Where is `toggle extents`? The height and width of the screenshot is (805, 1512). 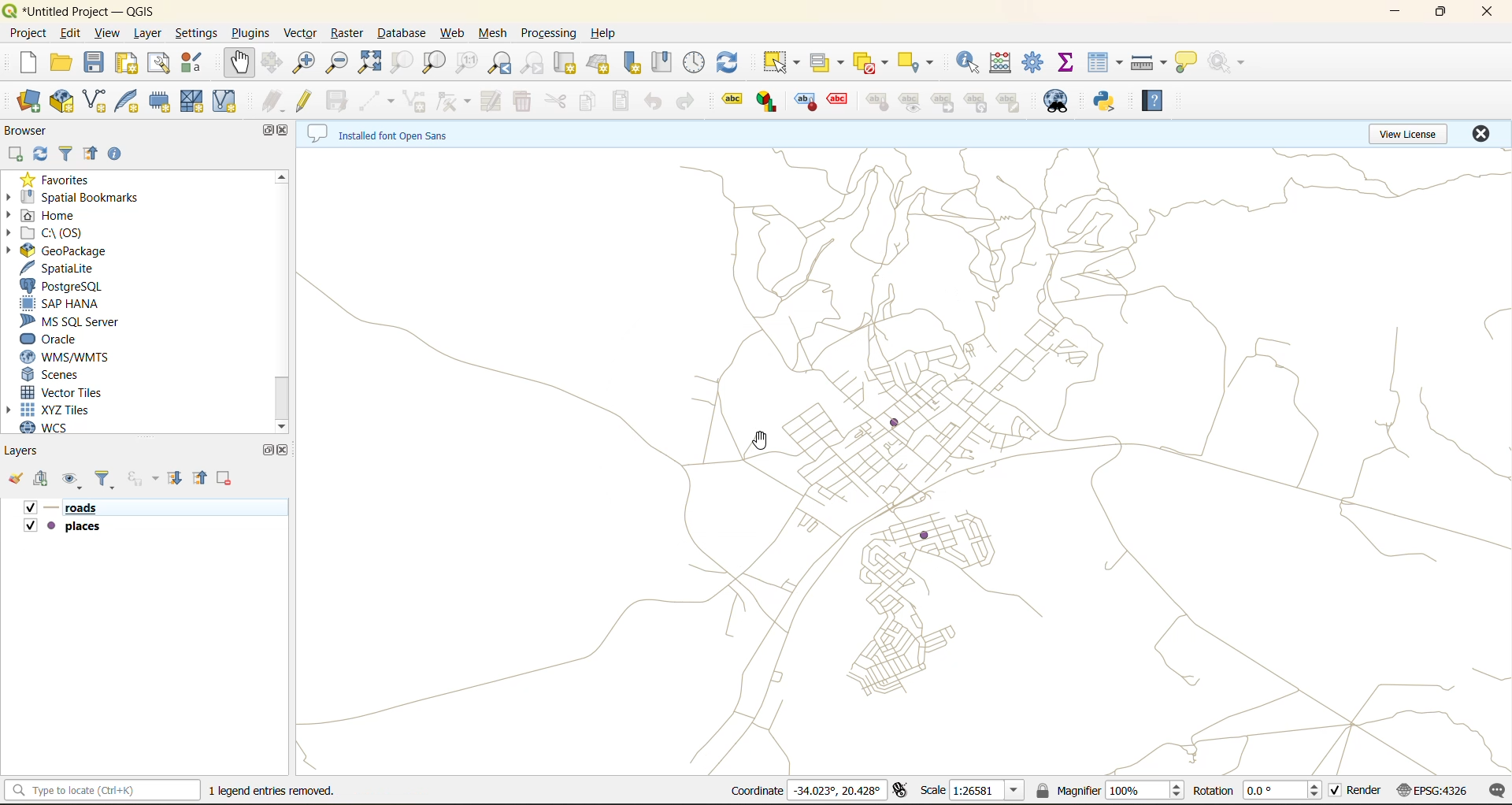 toggle extents is located at coordinates (907, 790).